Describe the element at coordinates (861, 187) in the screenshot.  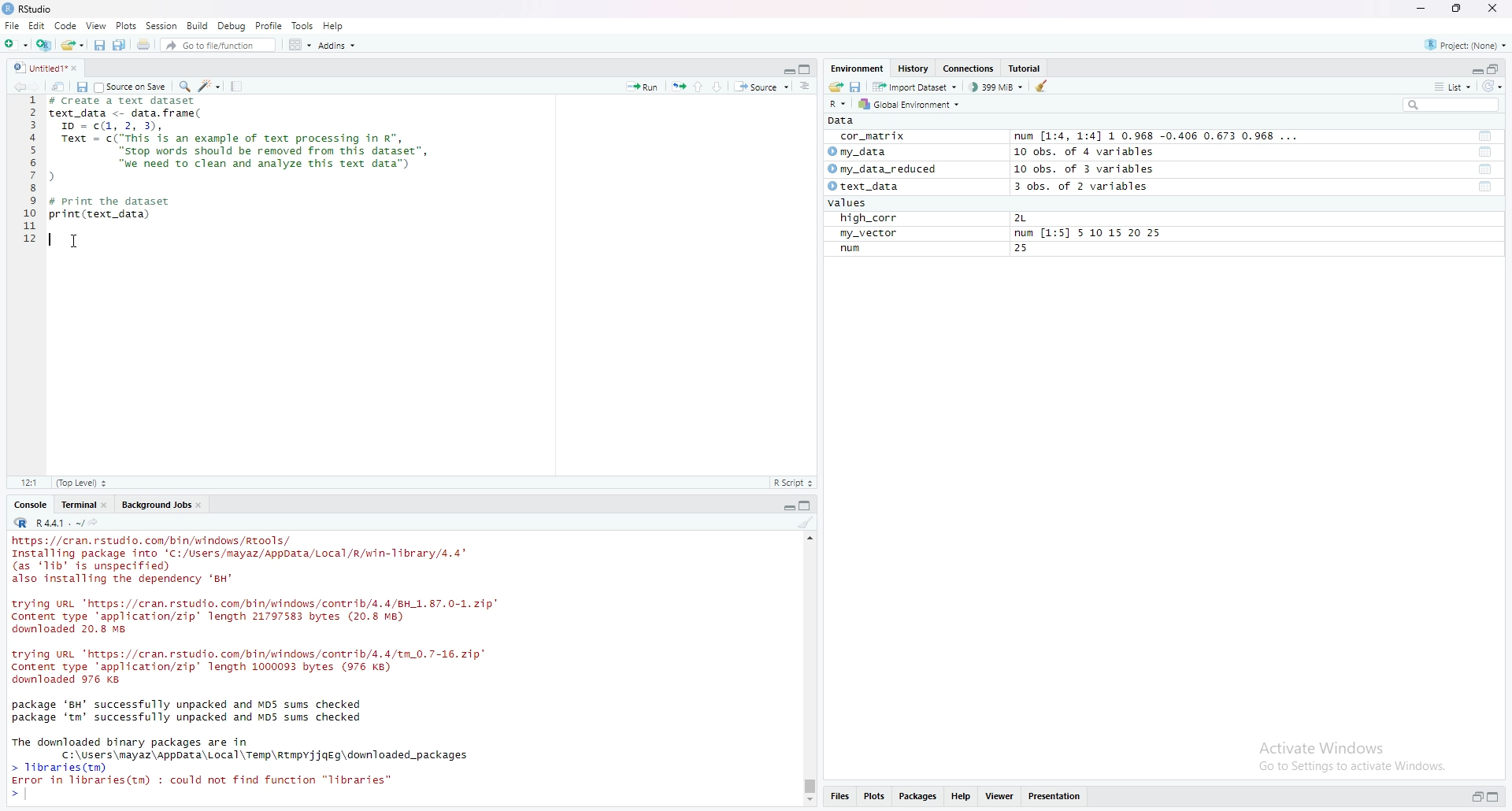
I see `text_data` at that location.